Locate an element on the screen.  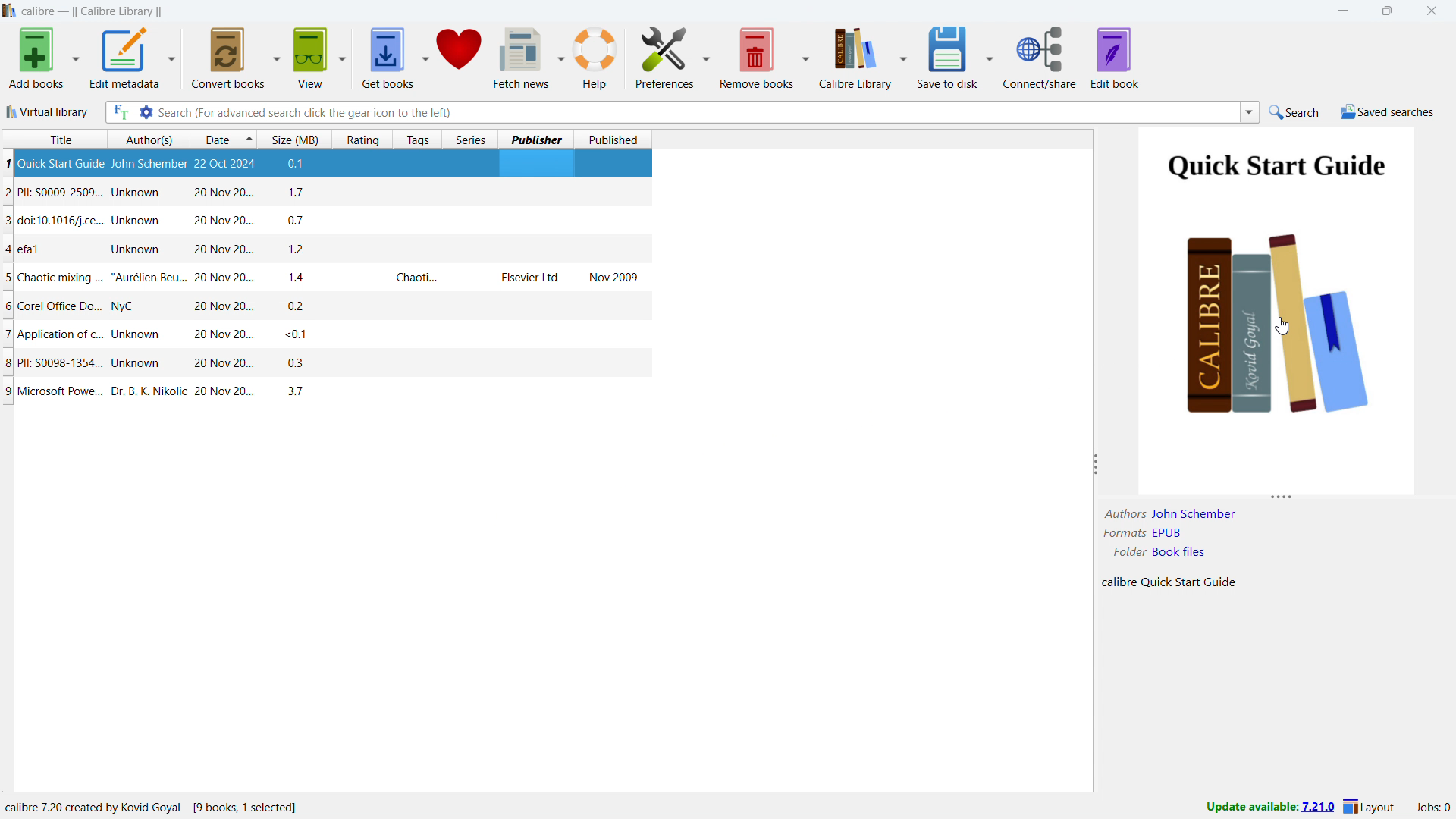
preferences is located at coordinates (665, 57).